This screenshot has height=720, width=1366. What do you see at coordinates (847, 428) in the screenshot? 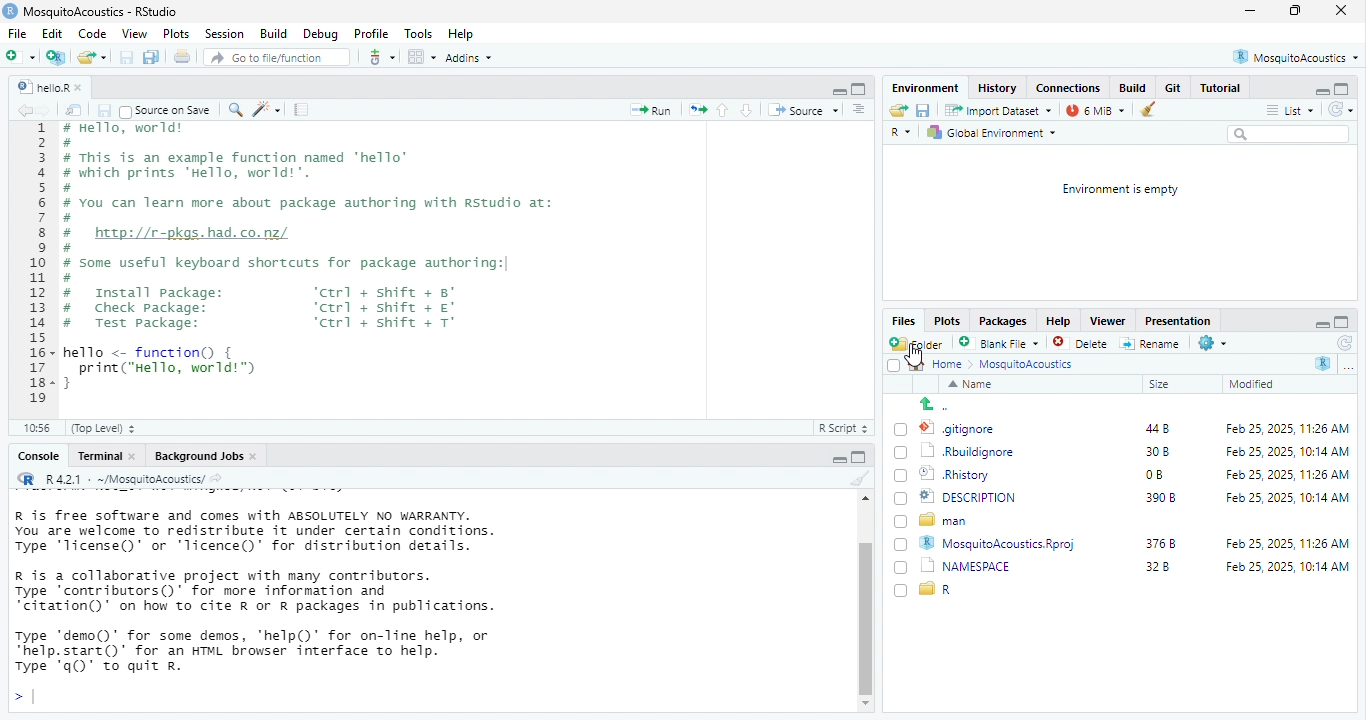
I see `R Script ` at bounding box center [847, 428].